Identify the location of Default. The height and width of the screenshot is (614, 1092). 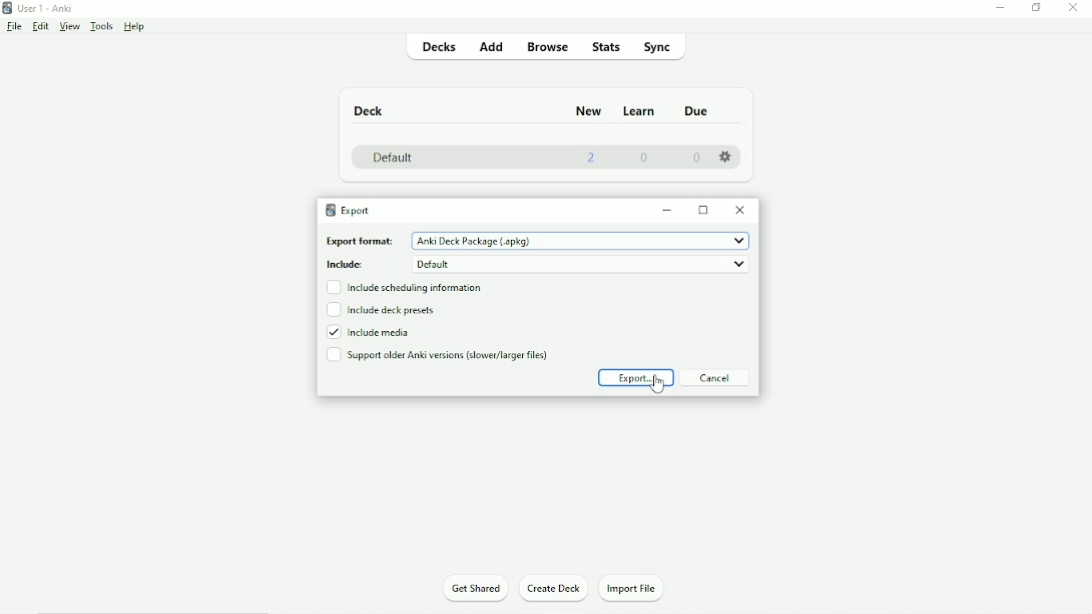
(393, 159).